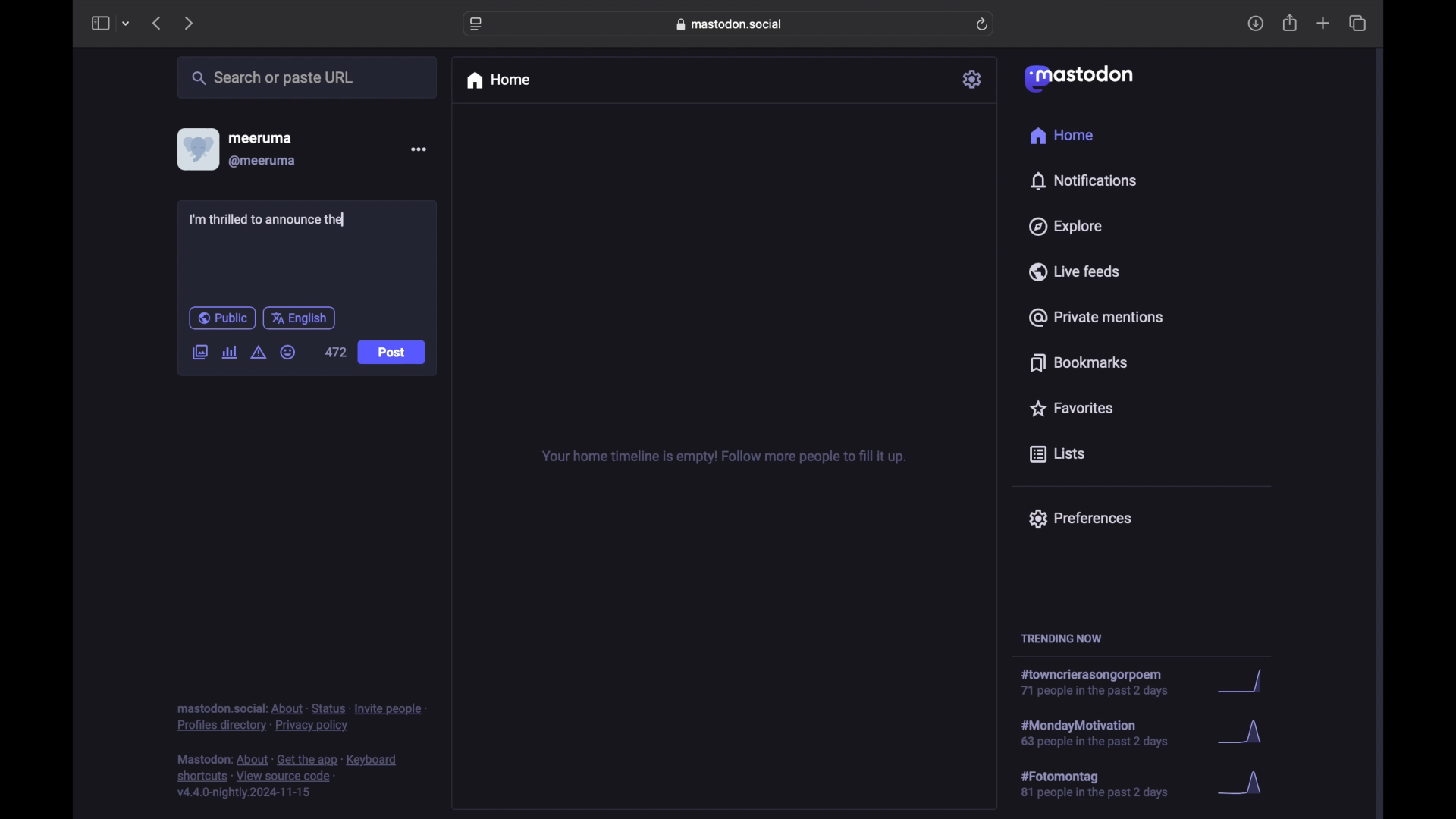  I want to click on footnote, so click(287, 777).